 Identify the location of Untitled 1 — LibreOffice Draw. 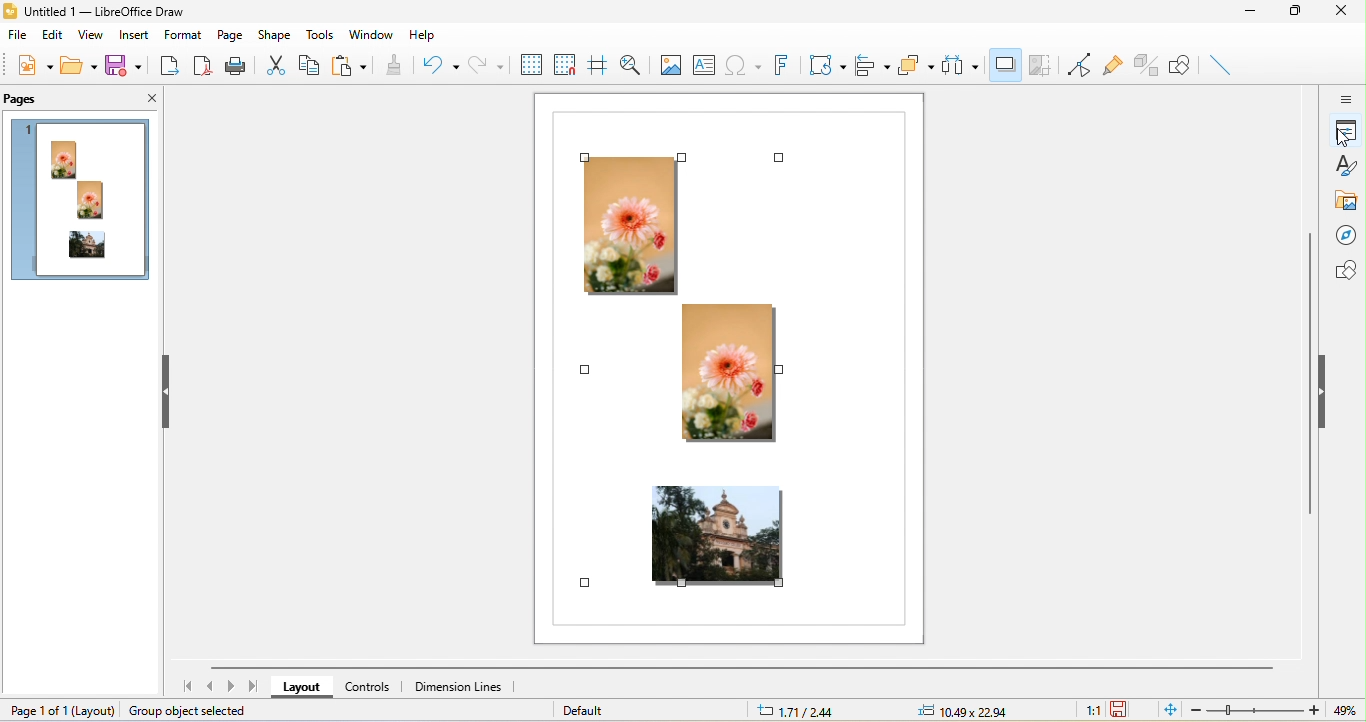
(94, 12).